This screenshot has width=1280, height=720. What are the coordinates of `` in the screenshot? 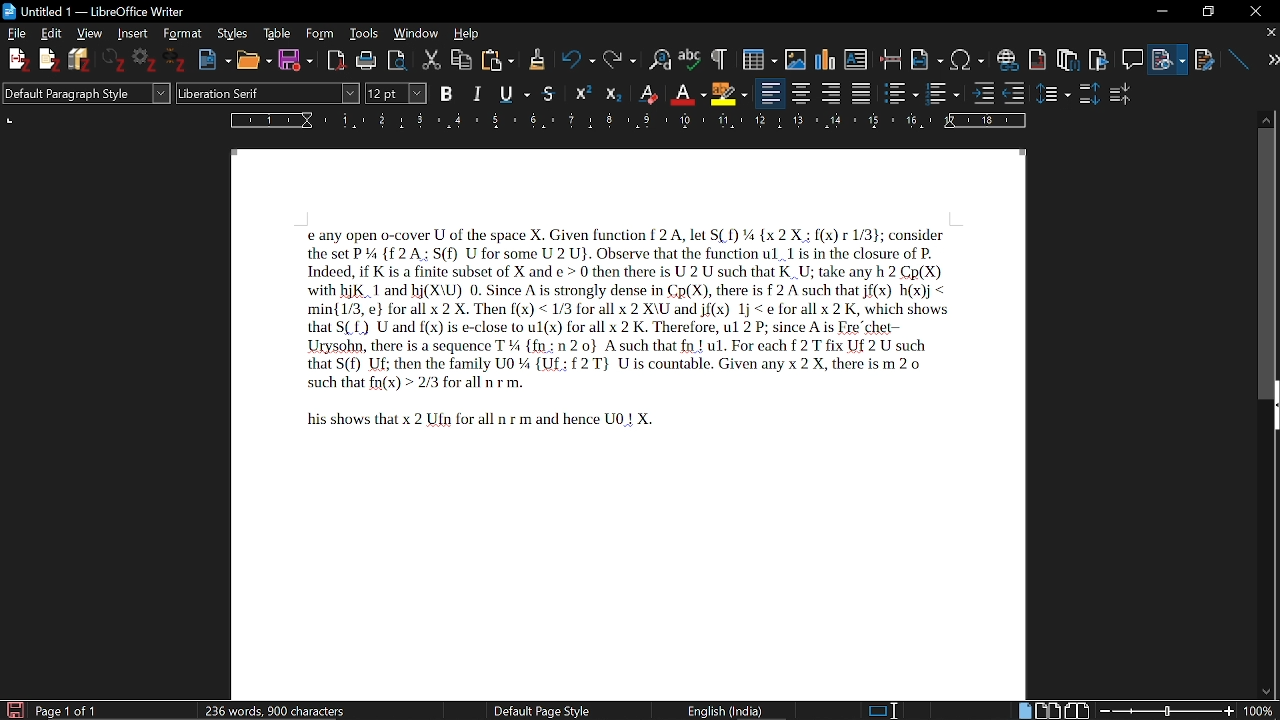 It's located at (1055, 93).